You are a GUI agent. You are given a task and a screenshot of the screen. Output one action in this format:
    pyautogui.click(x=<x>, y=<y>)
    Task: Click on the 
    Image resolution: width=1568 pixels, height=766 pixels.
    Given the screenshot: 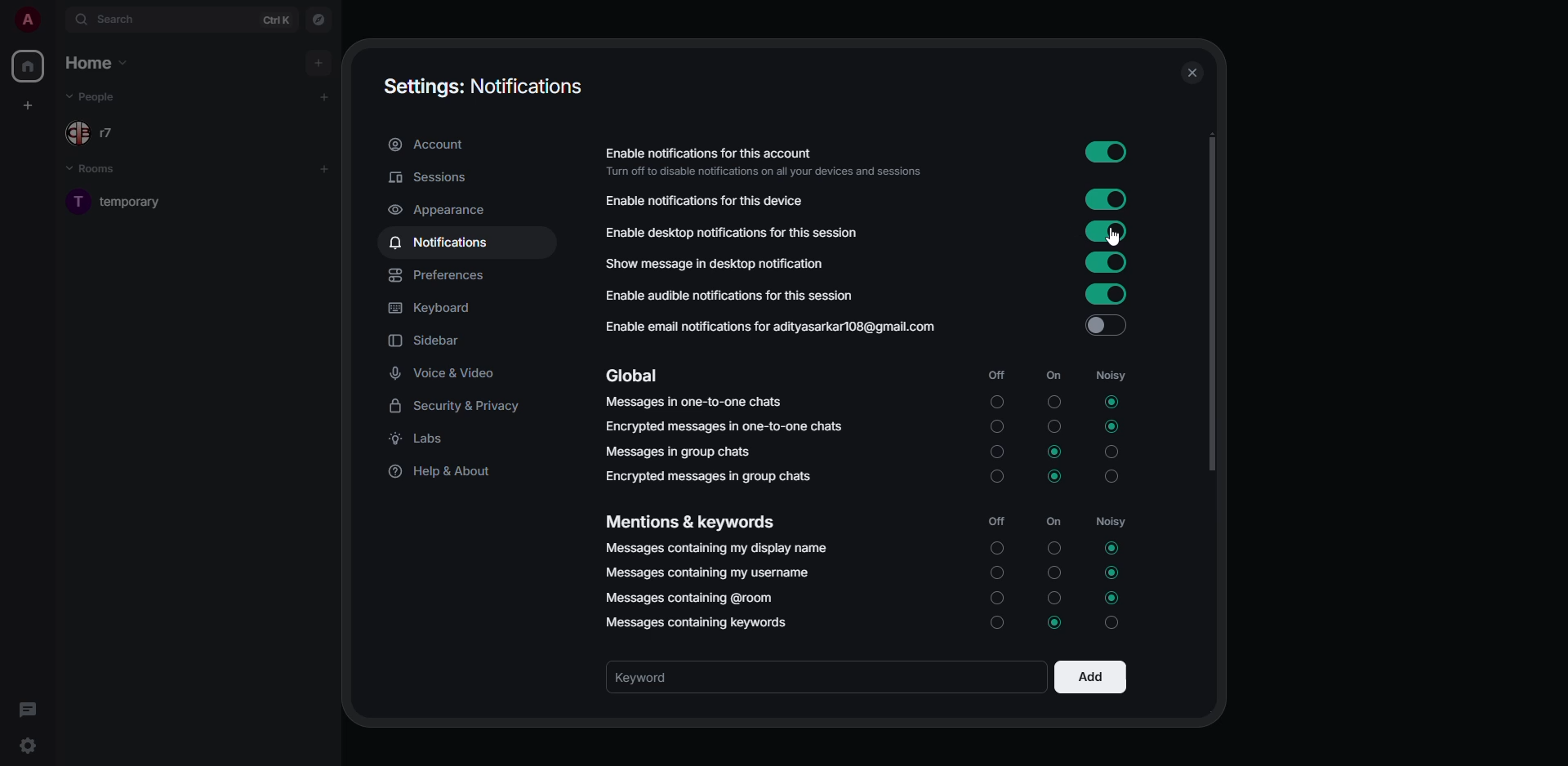 What is the action you would take?
    pyautogui.click(x=996, y=400)
    